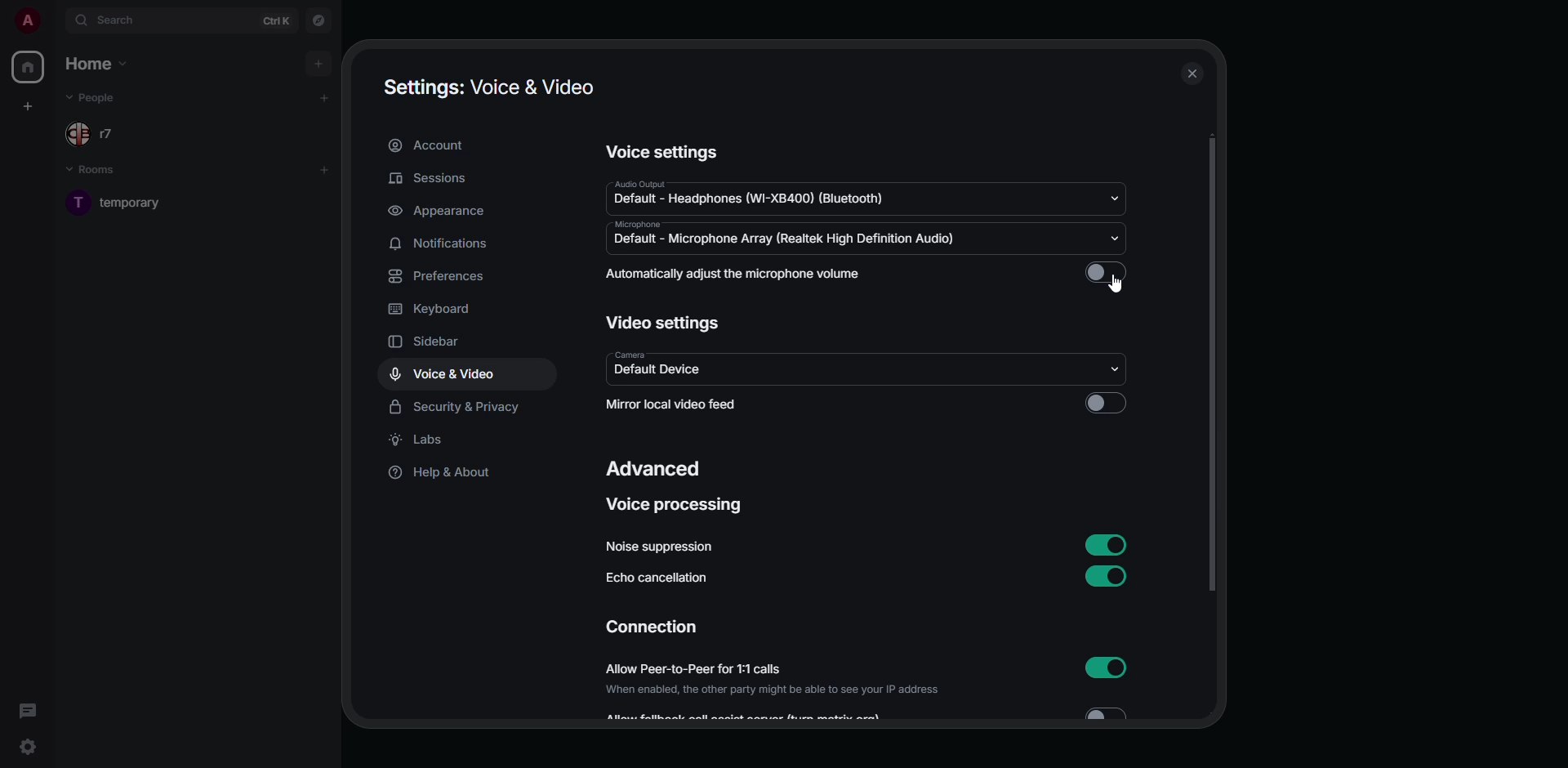 This screenshot has width=1568, height=768. I want to click on add, so click(325, 96).